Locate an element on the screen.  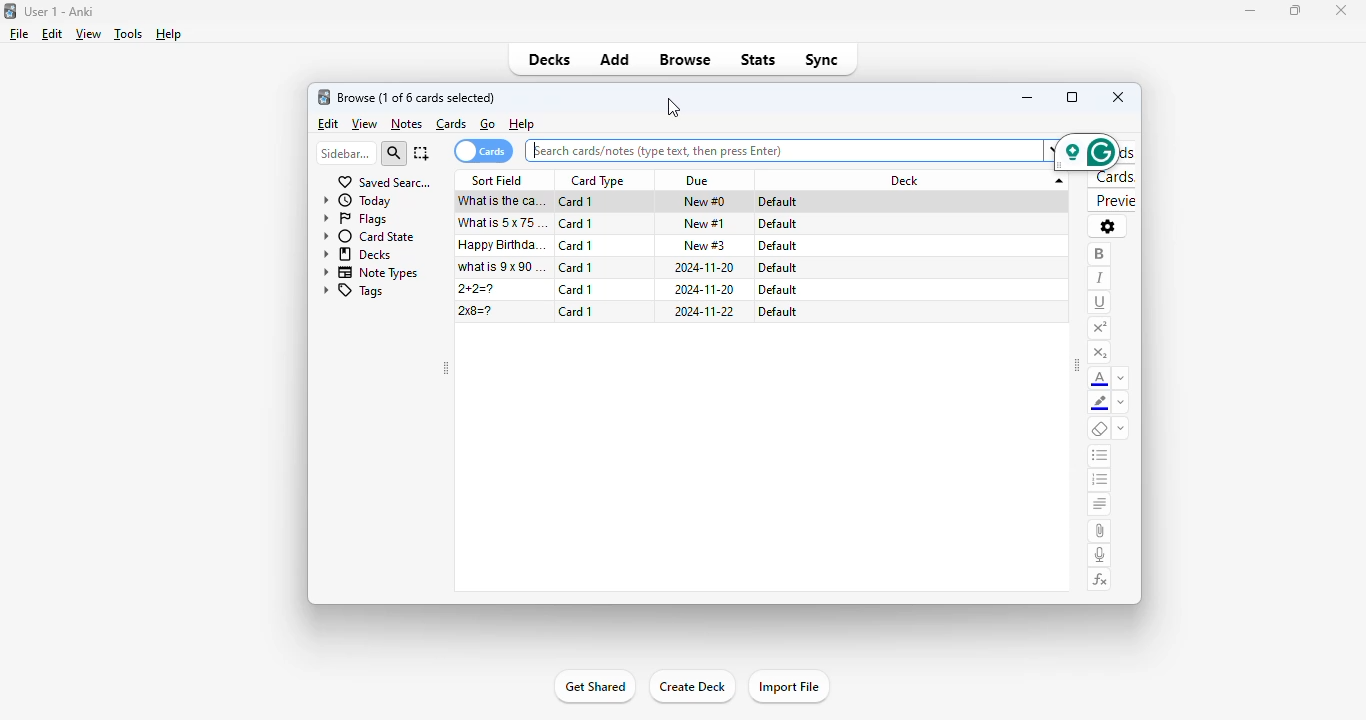
select formatting to remove is located at coordinates (1121, 429).